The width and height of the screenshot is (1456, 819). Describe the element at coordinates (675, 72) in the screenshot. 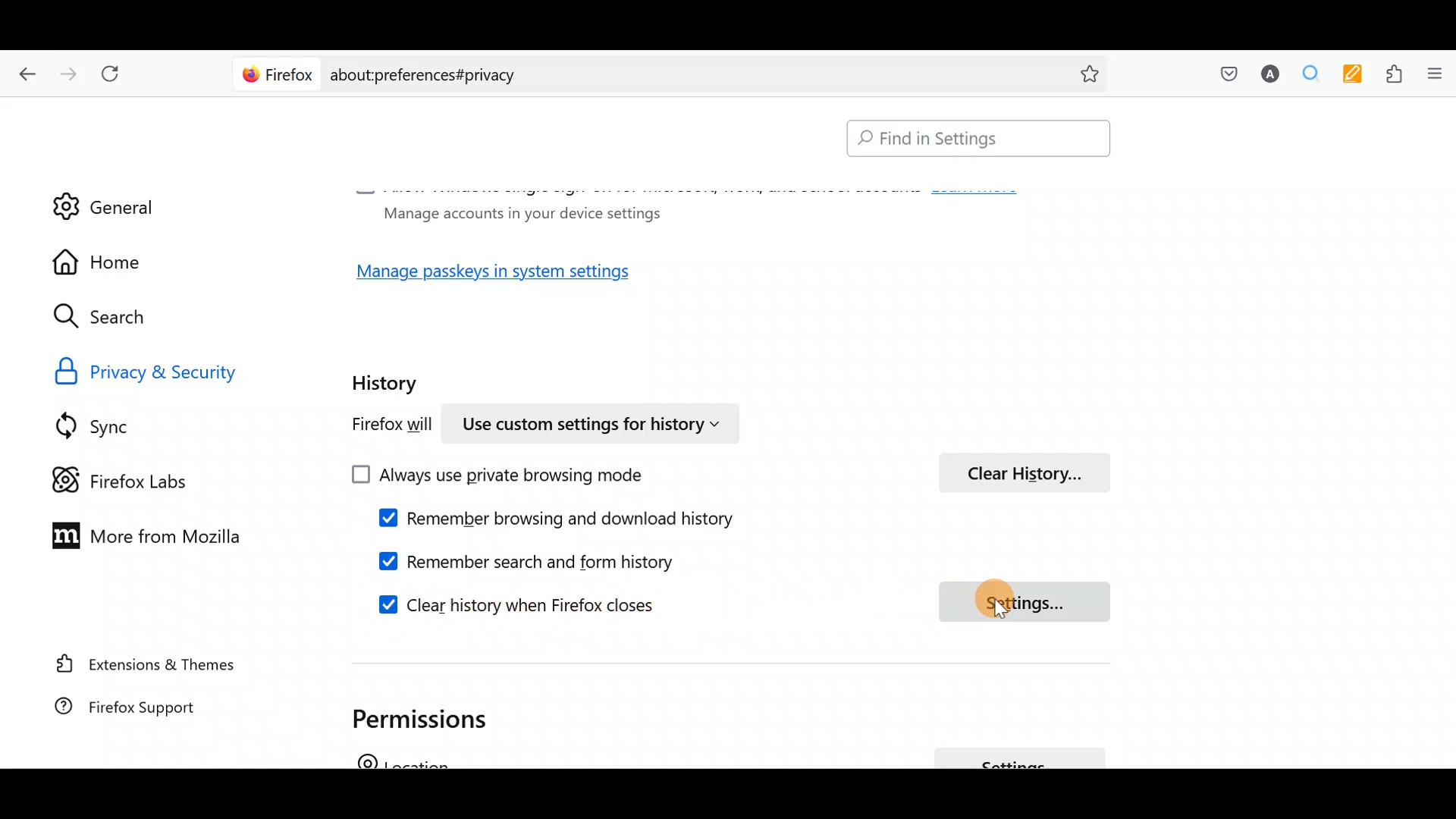

I see `Search bar` at that location.